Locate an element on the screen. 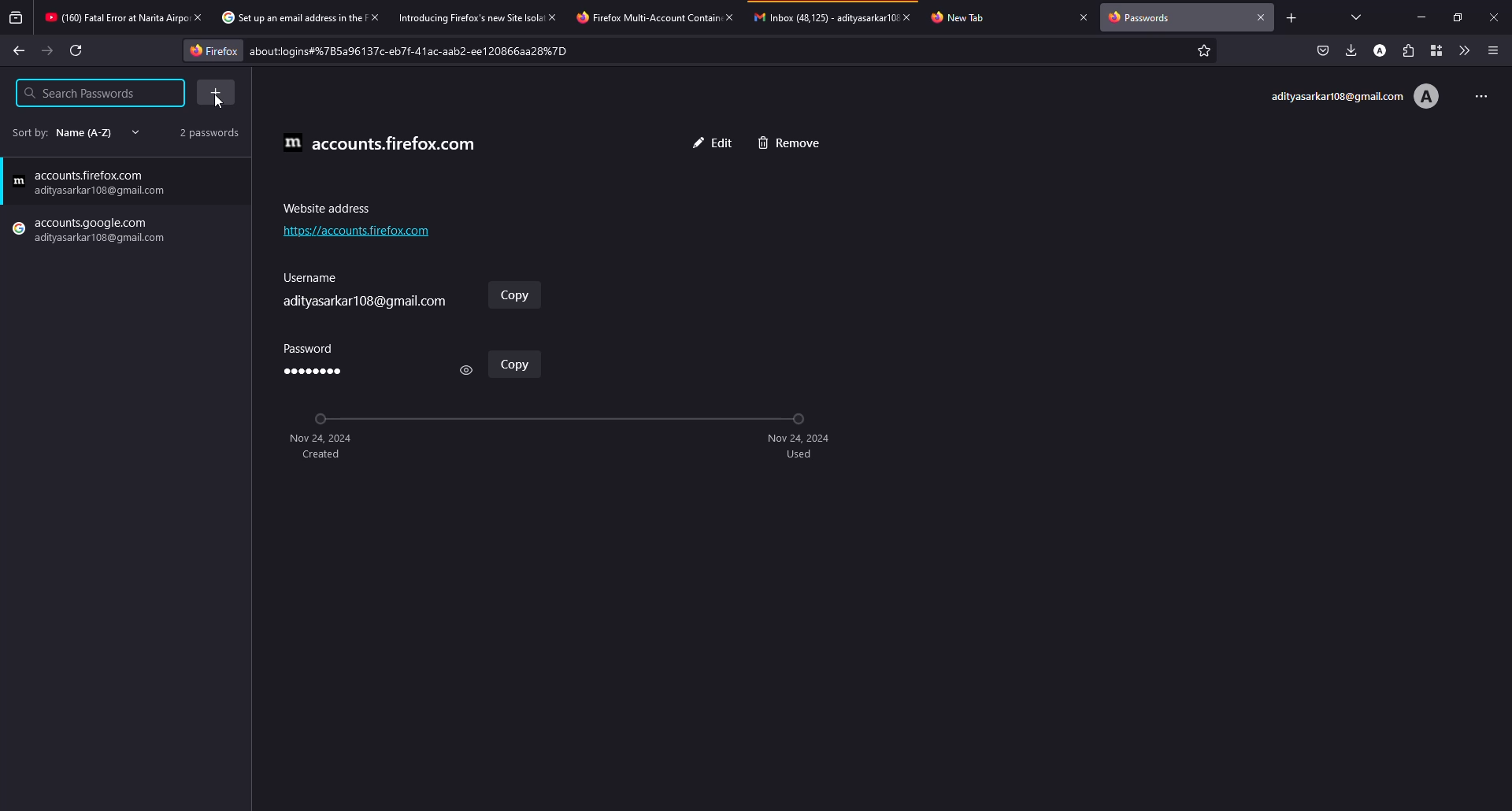 This screenshot has height=811, width=1512. tab is located at coordinates (113, 19).